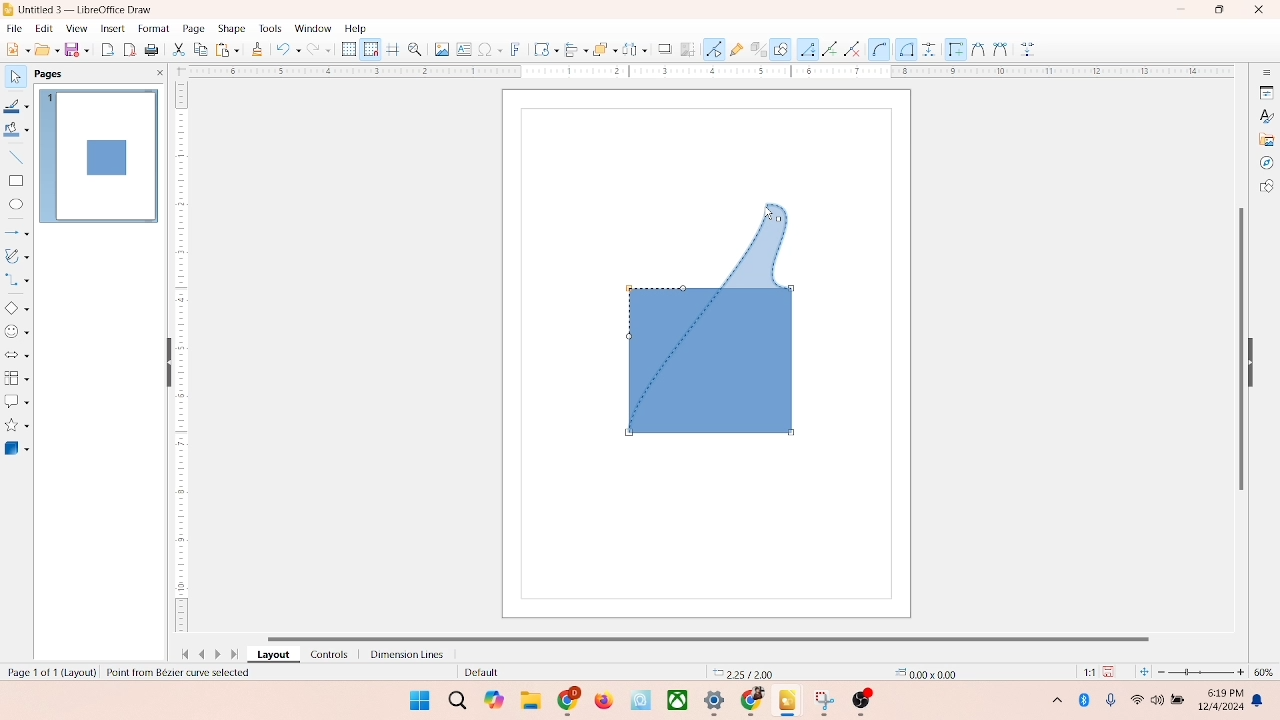 This screenshot has height=720, width=1280. Describe the element at coordinates (17, 332) in the screenshot. I see `symbol shapes` at that location.